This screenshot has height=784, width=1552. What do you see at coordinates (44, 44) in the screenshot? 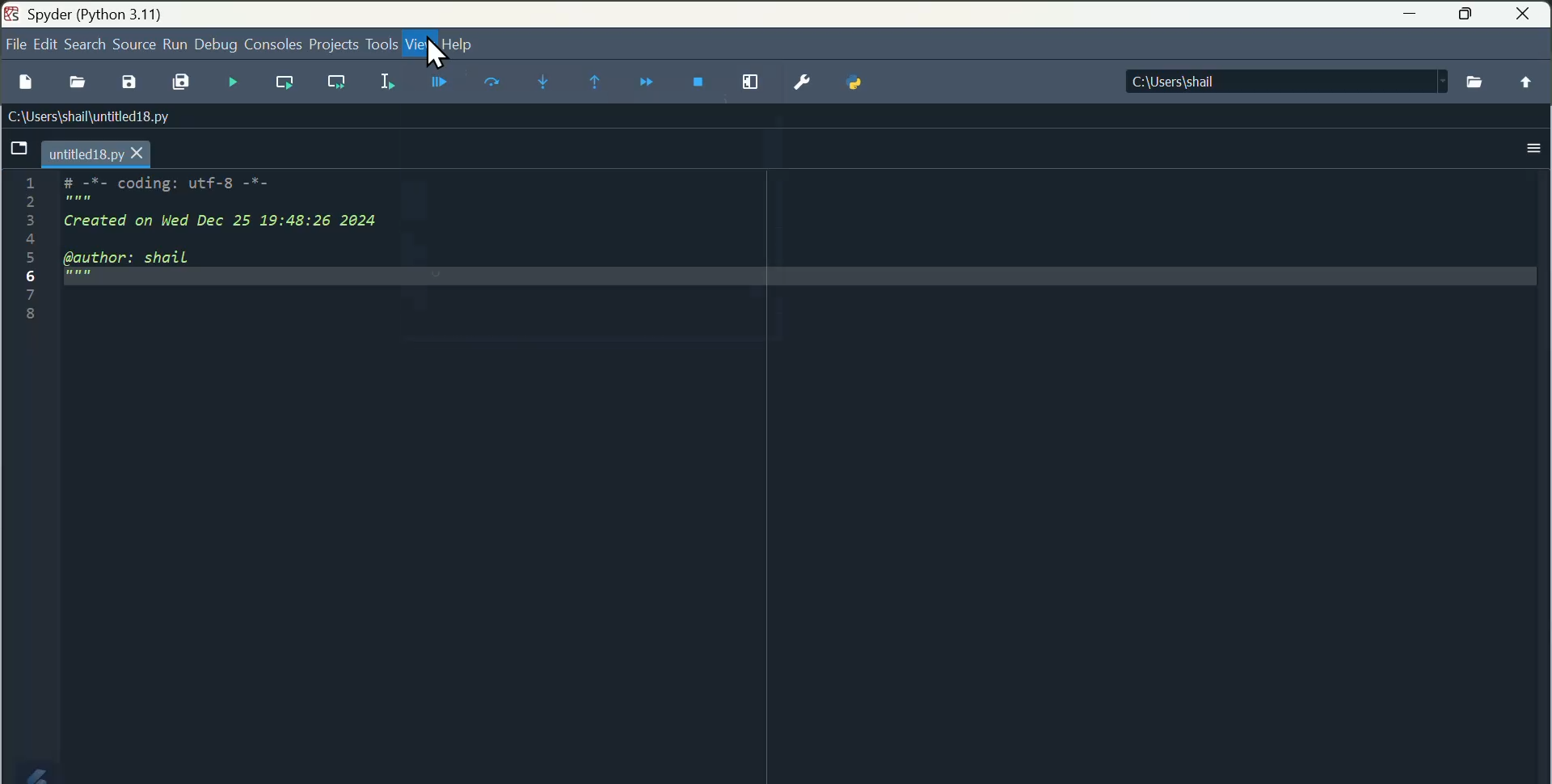
I see `Edit` at bounding box center [44, 44].